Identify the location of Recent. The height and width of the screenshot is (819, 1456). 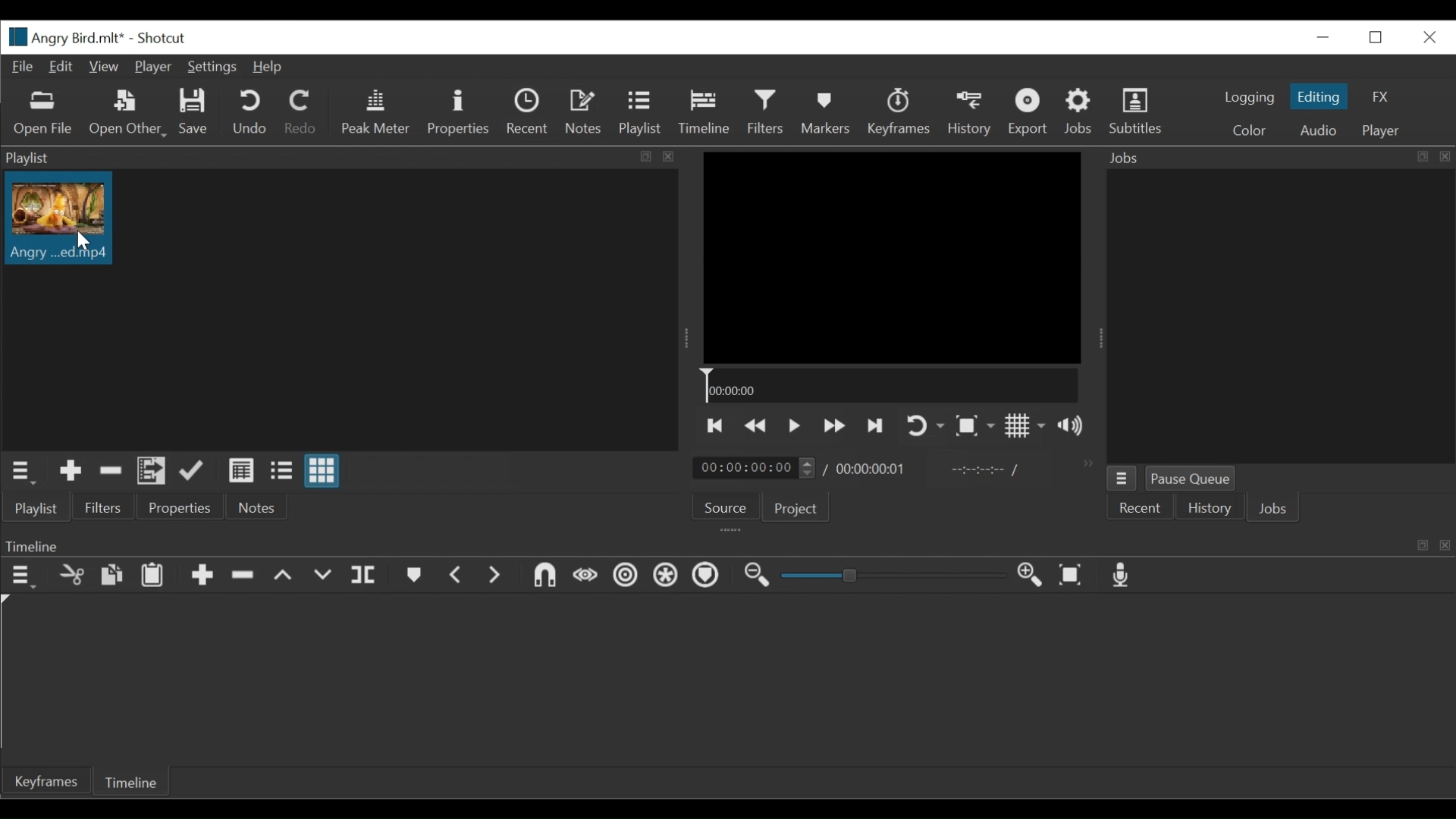
(1139, 508).